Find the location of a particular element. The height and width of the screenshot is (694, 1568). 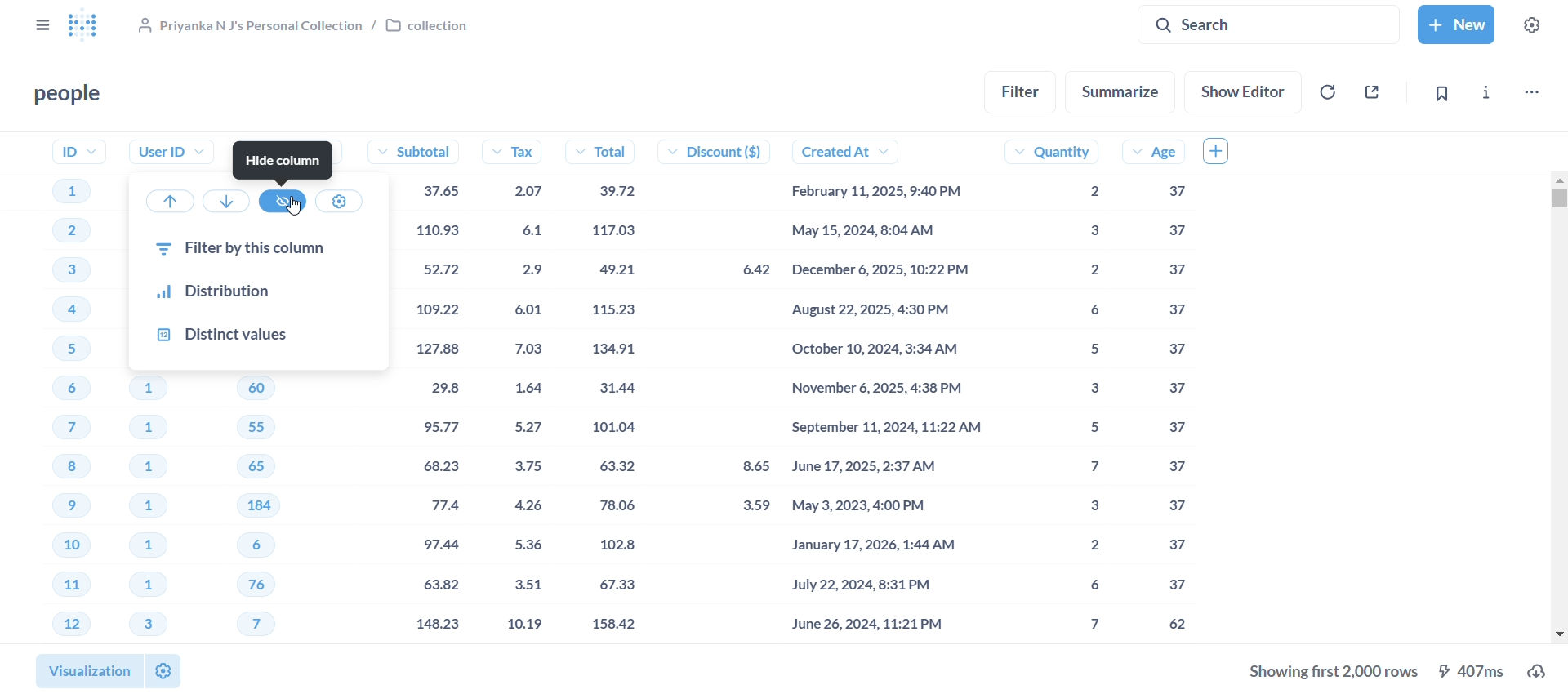

hide column is located at coordinates (285, 160).